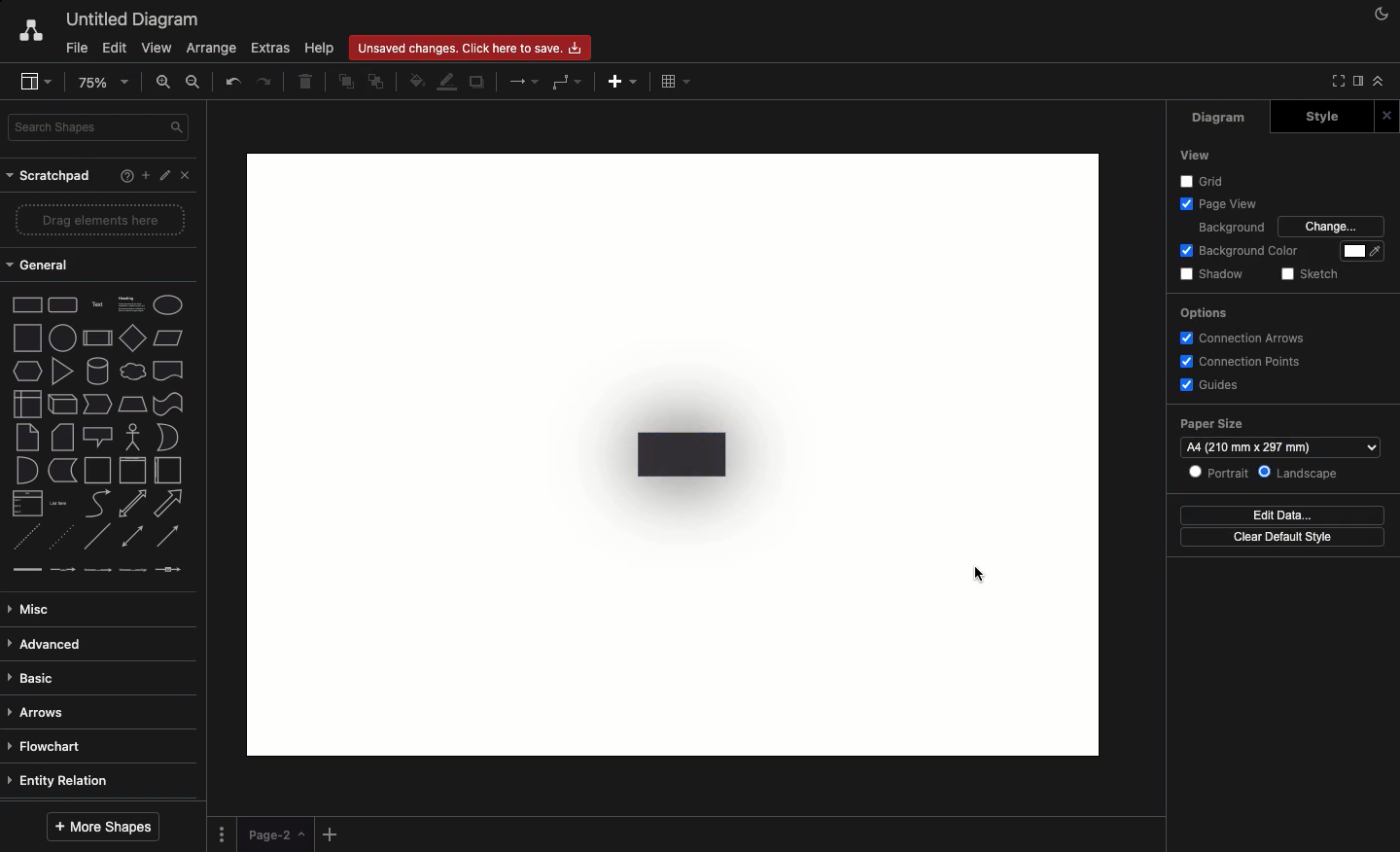  What do you see at coordinates (144, 175) in the screenshot?
I see `Add` at bounding box center [144, 175].